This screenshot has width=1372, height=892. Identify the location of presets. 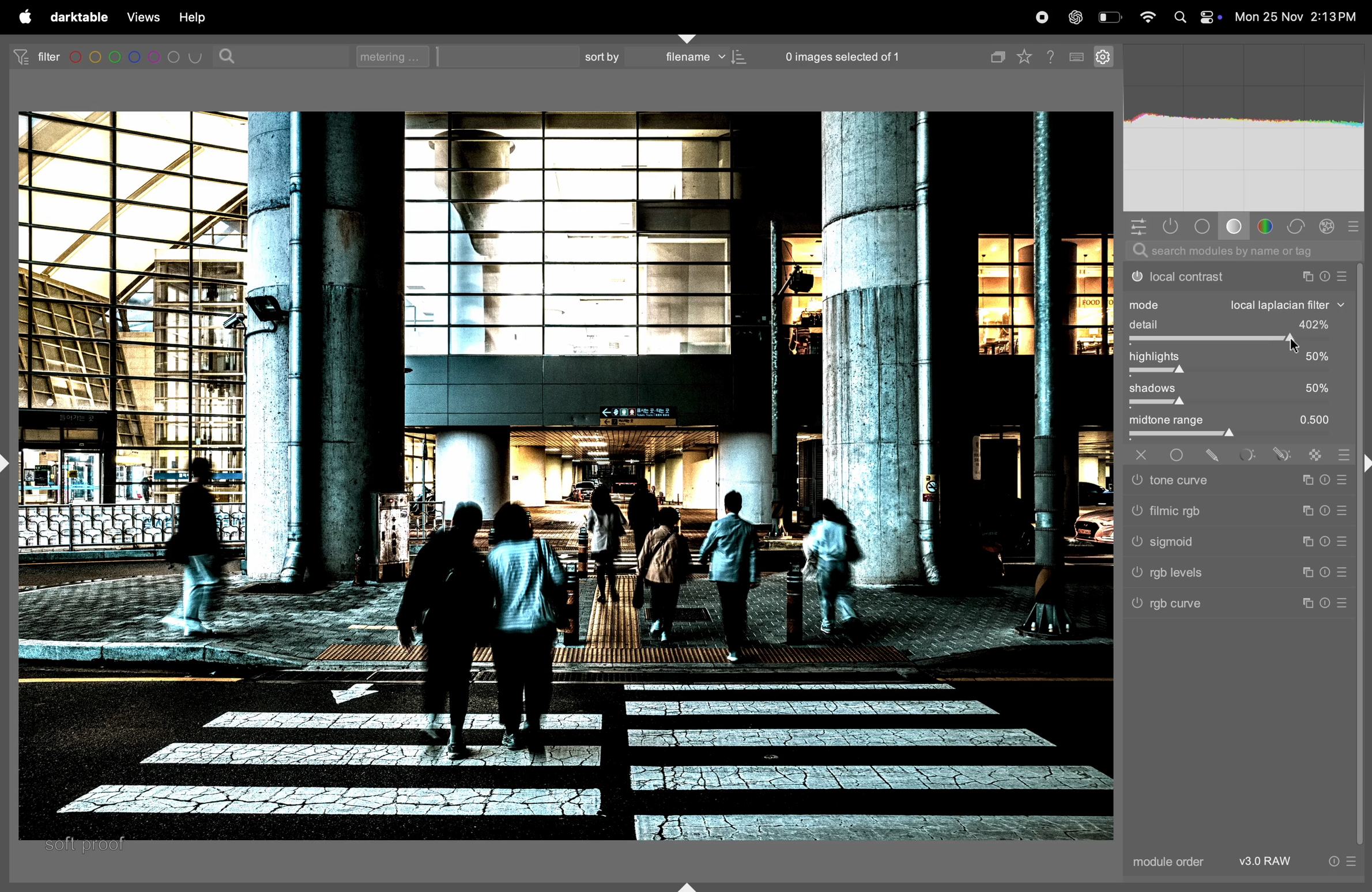
(1355, 225).